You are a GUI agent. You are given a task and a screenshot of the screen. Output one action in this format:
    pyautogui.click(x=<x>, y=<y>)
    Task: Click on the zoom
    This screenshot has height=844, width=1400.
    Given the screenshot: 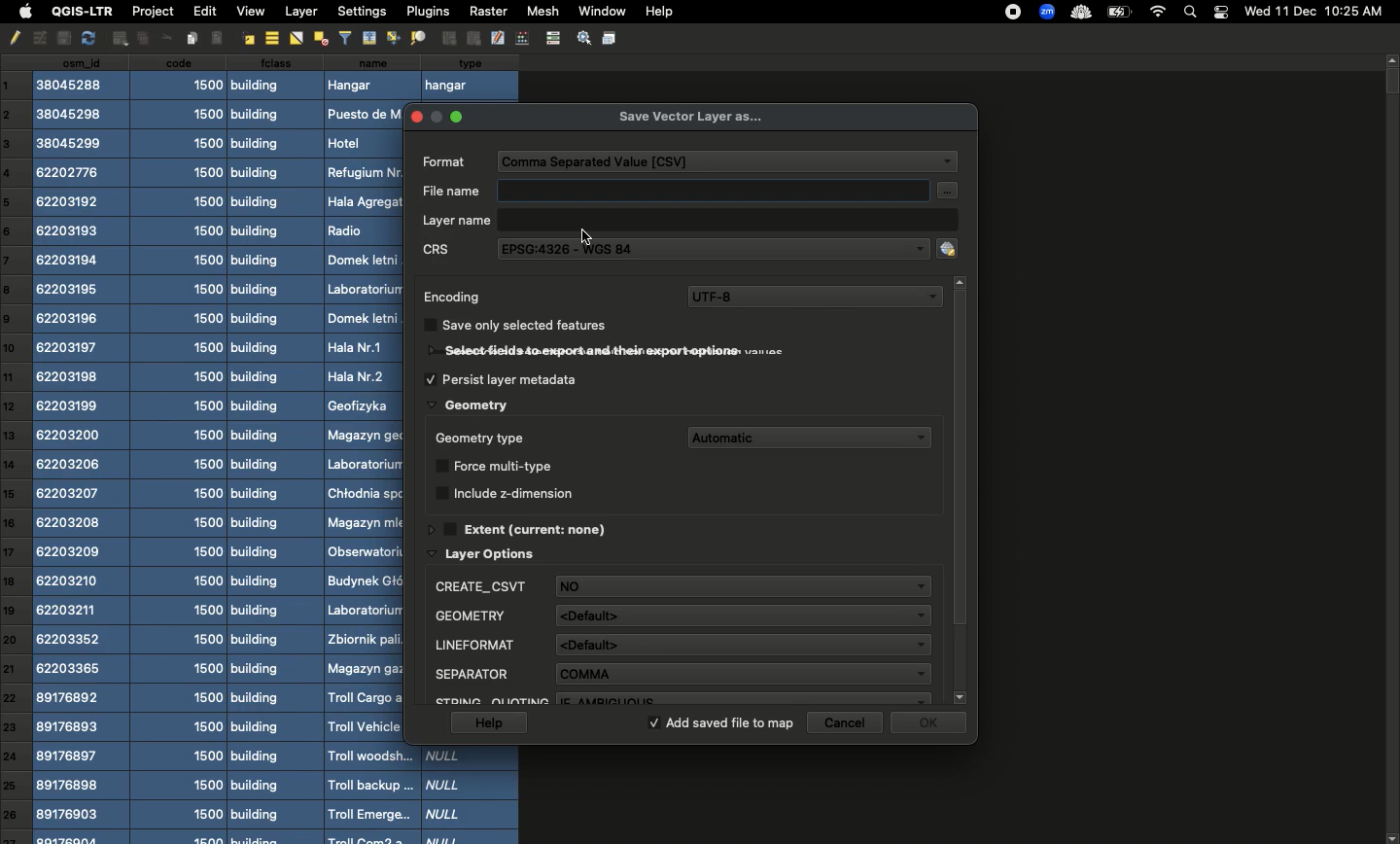 What is the action you would take?
    pyautogui.click(x=1045, y=12)
    